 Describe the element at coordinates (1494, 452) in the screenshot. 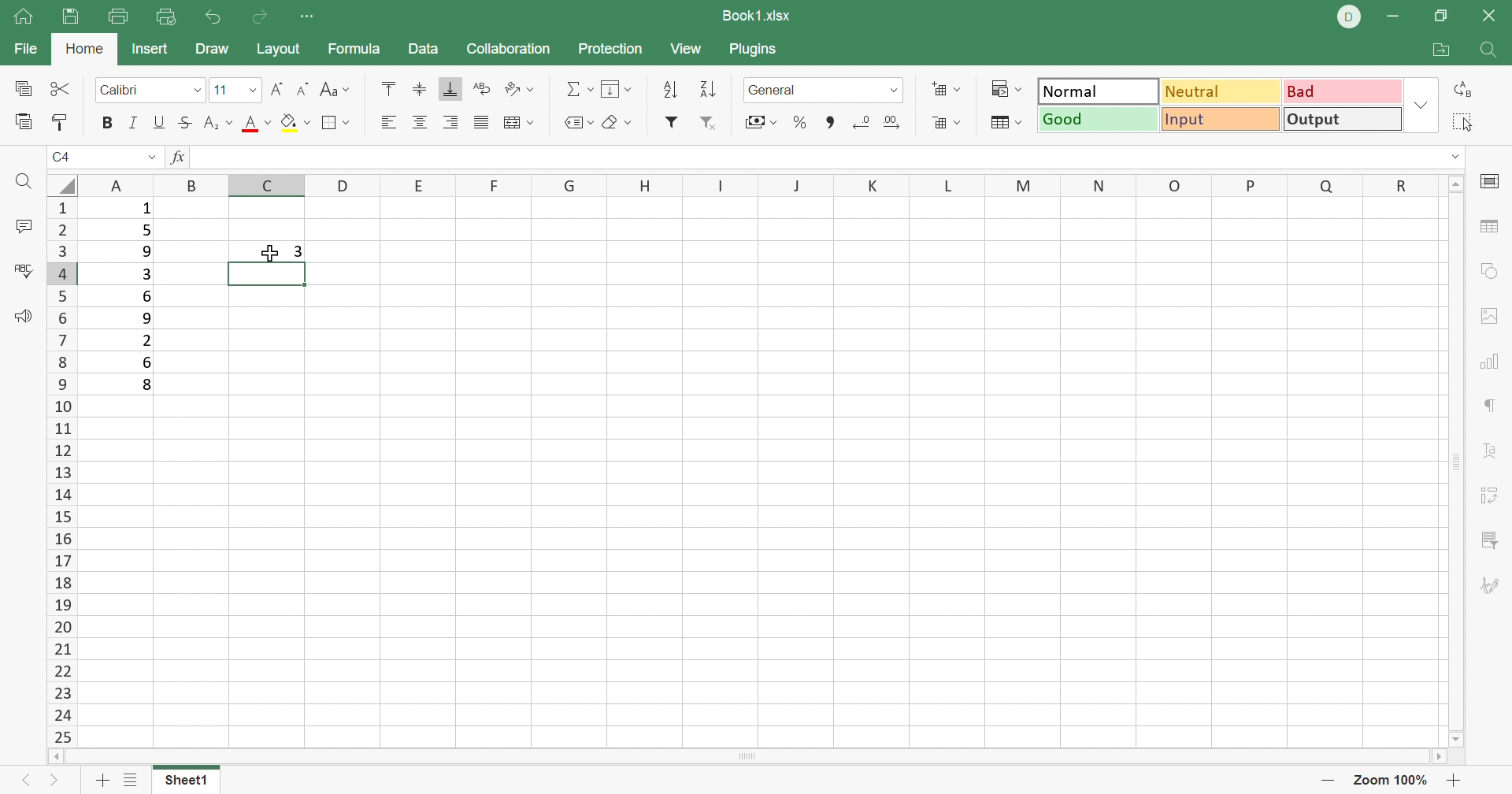

I see `Text art settings` at that location.